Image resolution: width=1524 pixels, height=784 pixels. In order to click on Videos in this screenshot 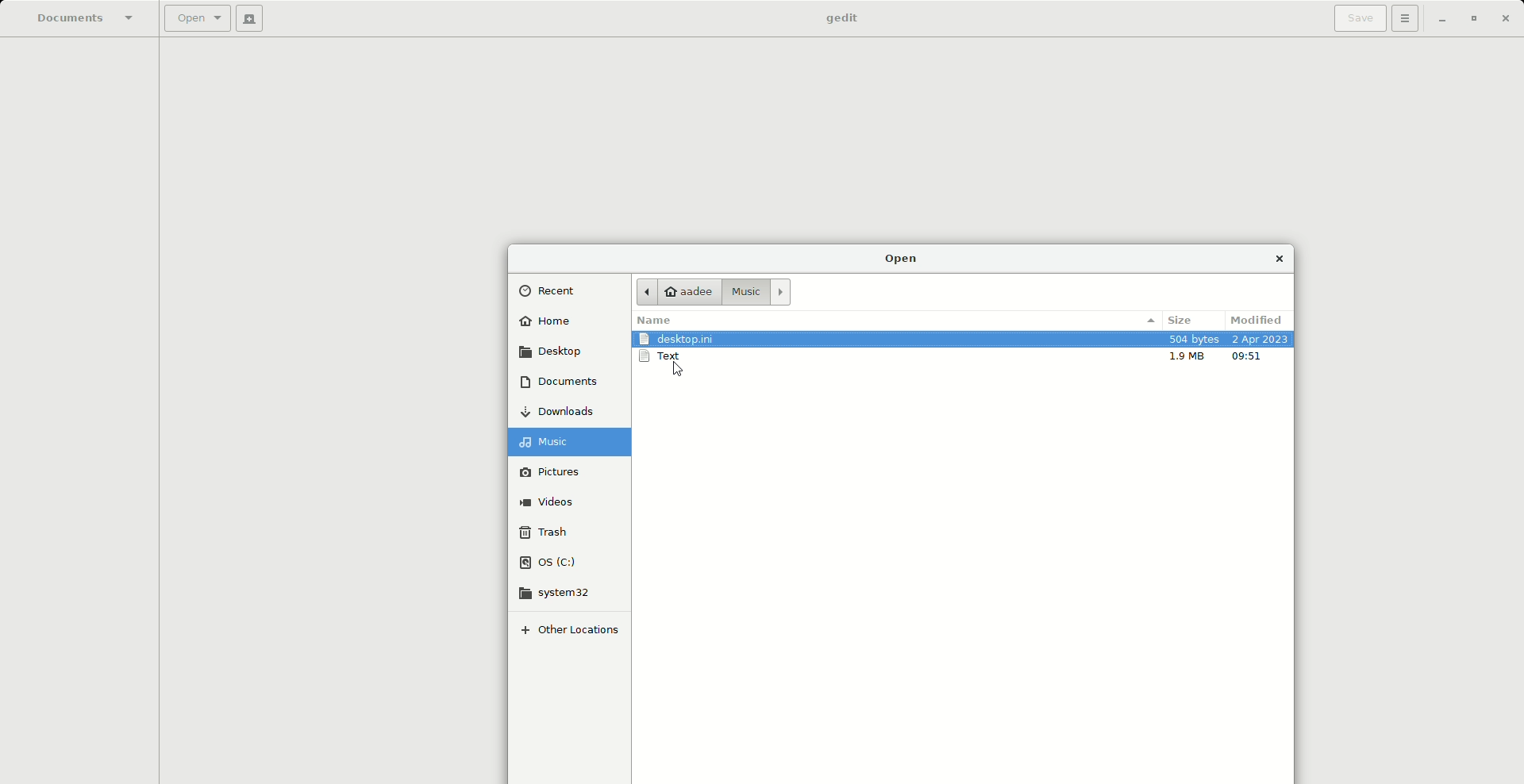, I will do `click(568, 505)`.